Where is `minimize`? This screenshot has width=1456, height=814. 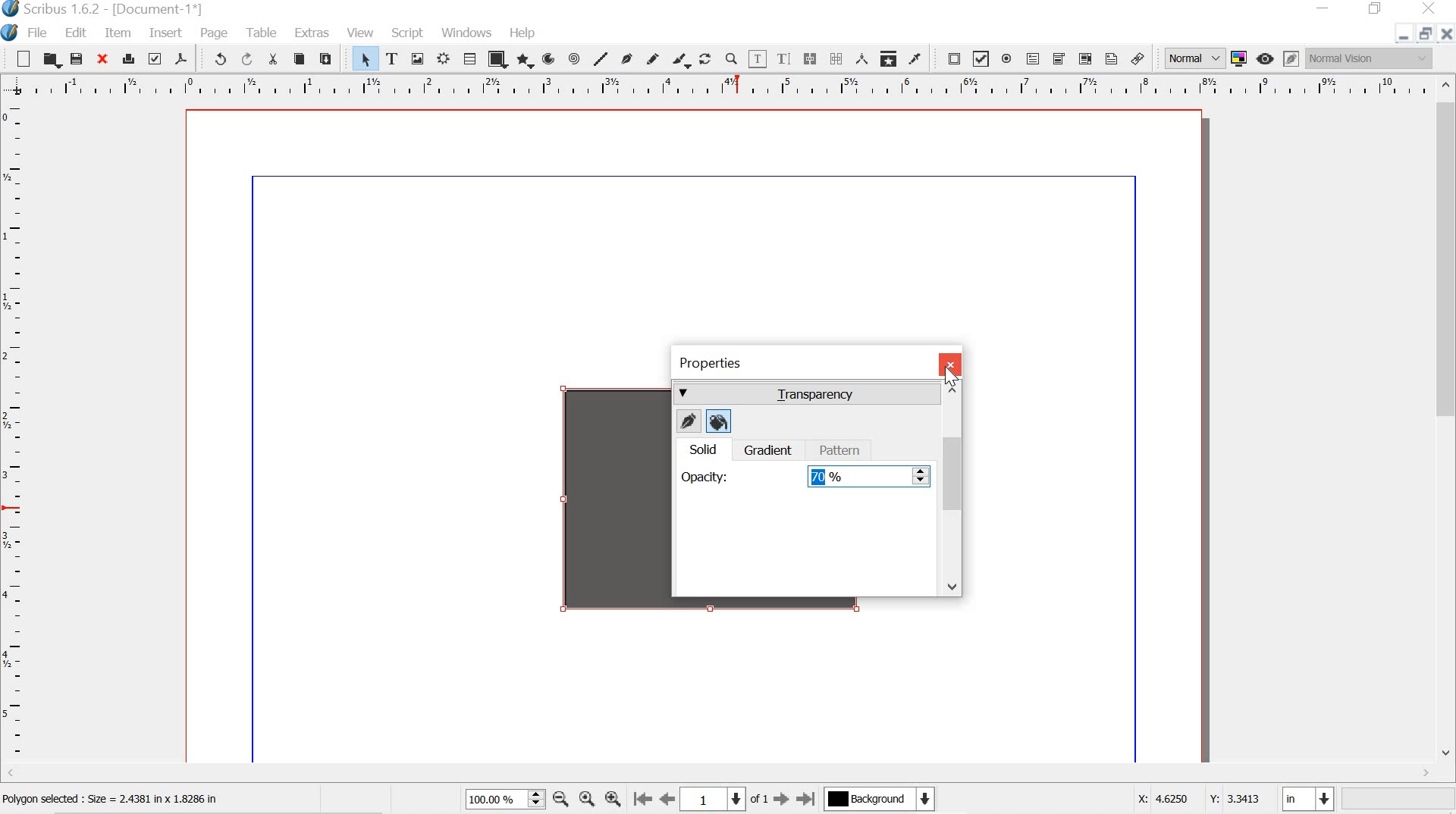 minimize is located at coordinates (1401, 36).